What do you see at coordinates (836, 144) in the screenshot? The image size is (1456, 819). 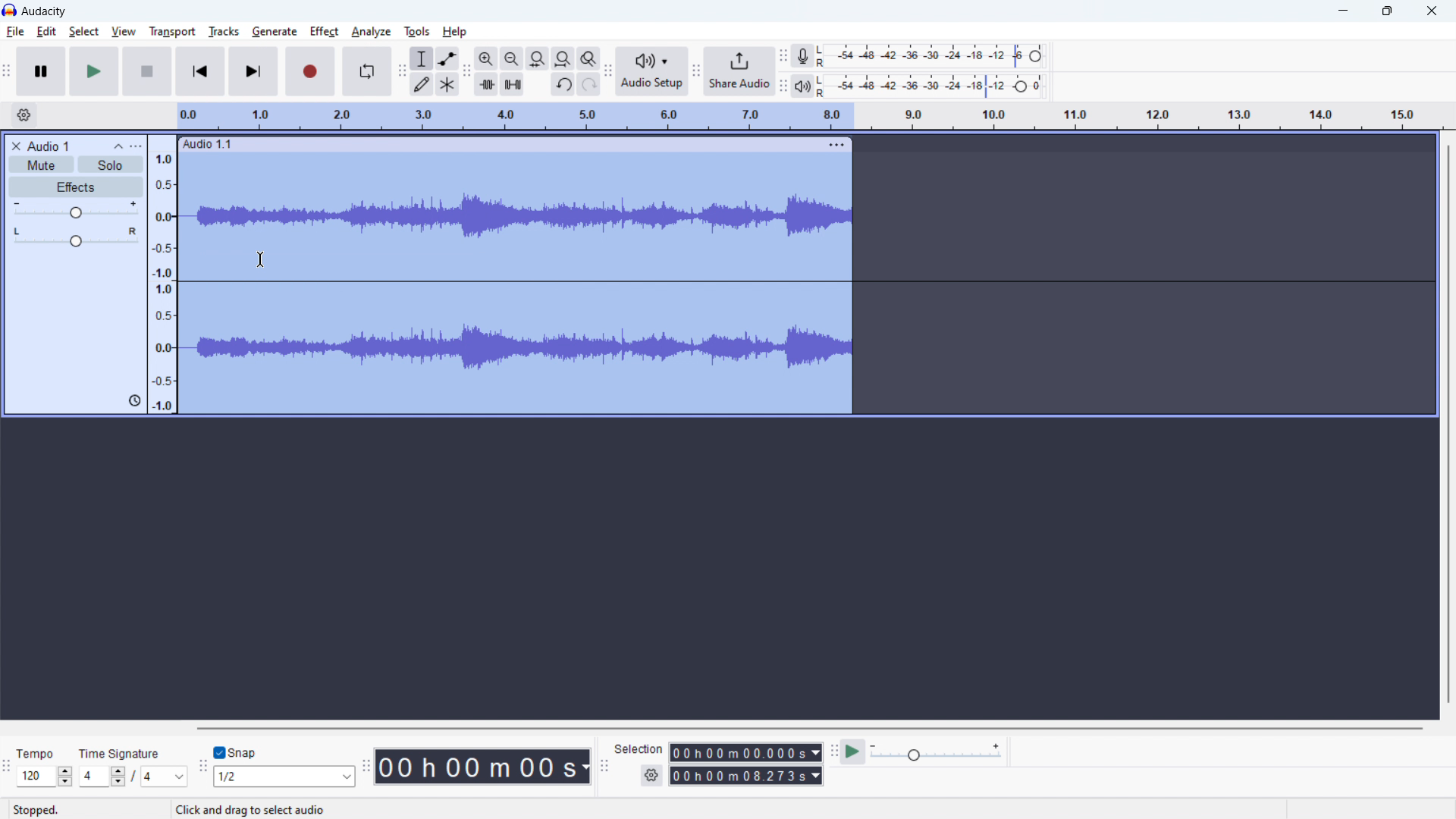 I see `track options` at bounding box center [836, 144].